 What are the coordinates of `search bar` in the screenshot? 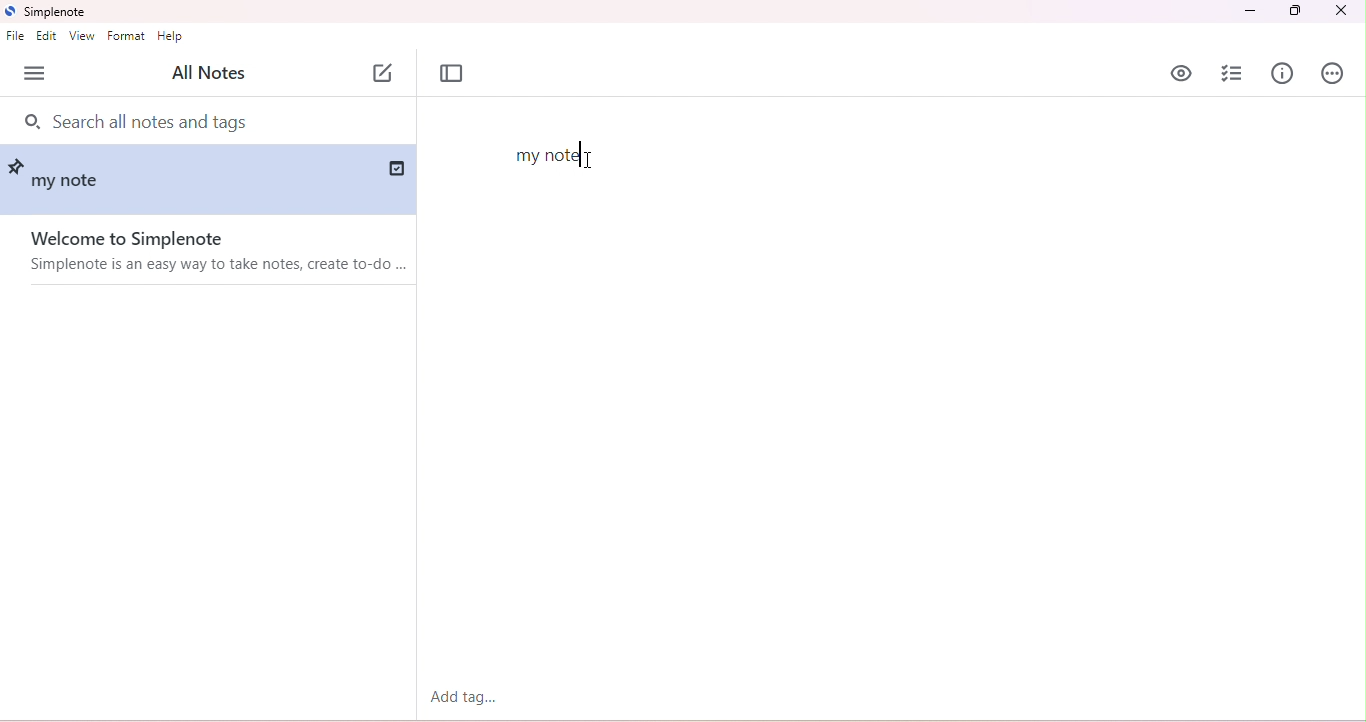 It's located at (155, 119).